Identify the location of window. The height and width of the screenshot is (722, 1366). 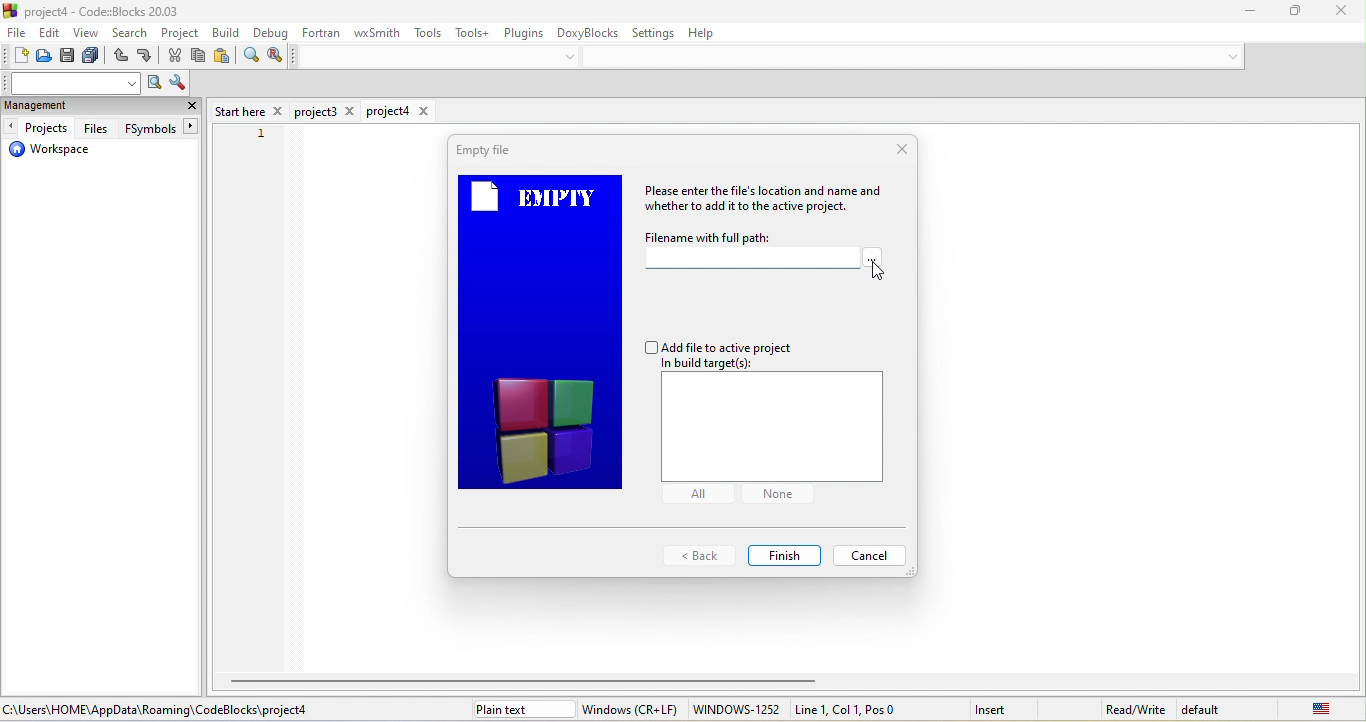
(631, 709).